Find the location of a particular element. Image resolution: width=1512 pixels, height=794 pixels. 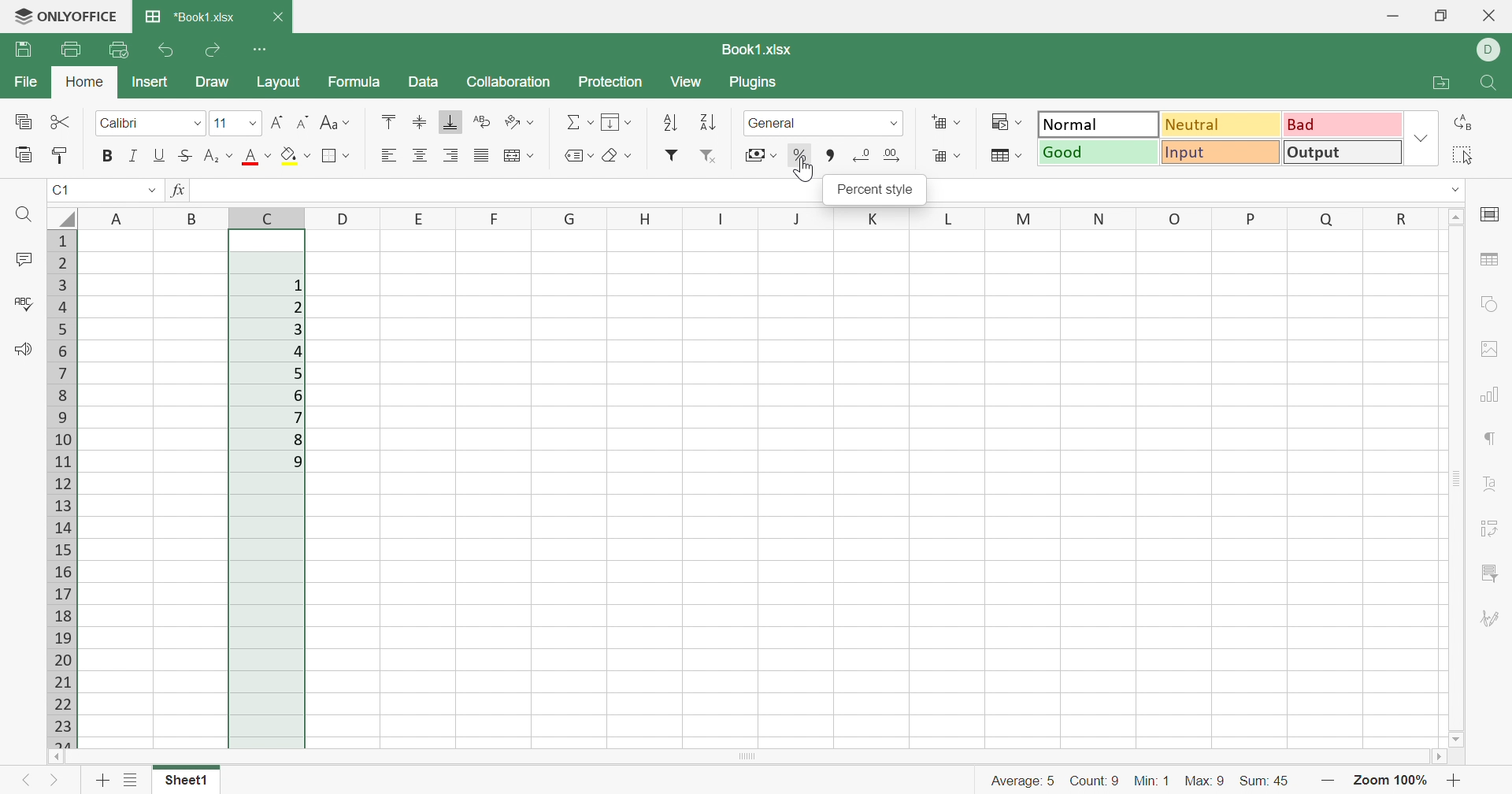

Selected column is located at coordinates (268, 488).